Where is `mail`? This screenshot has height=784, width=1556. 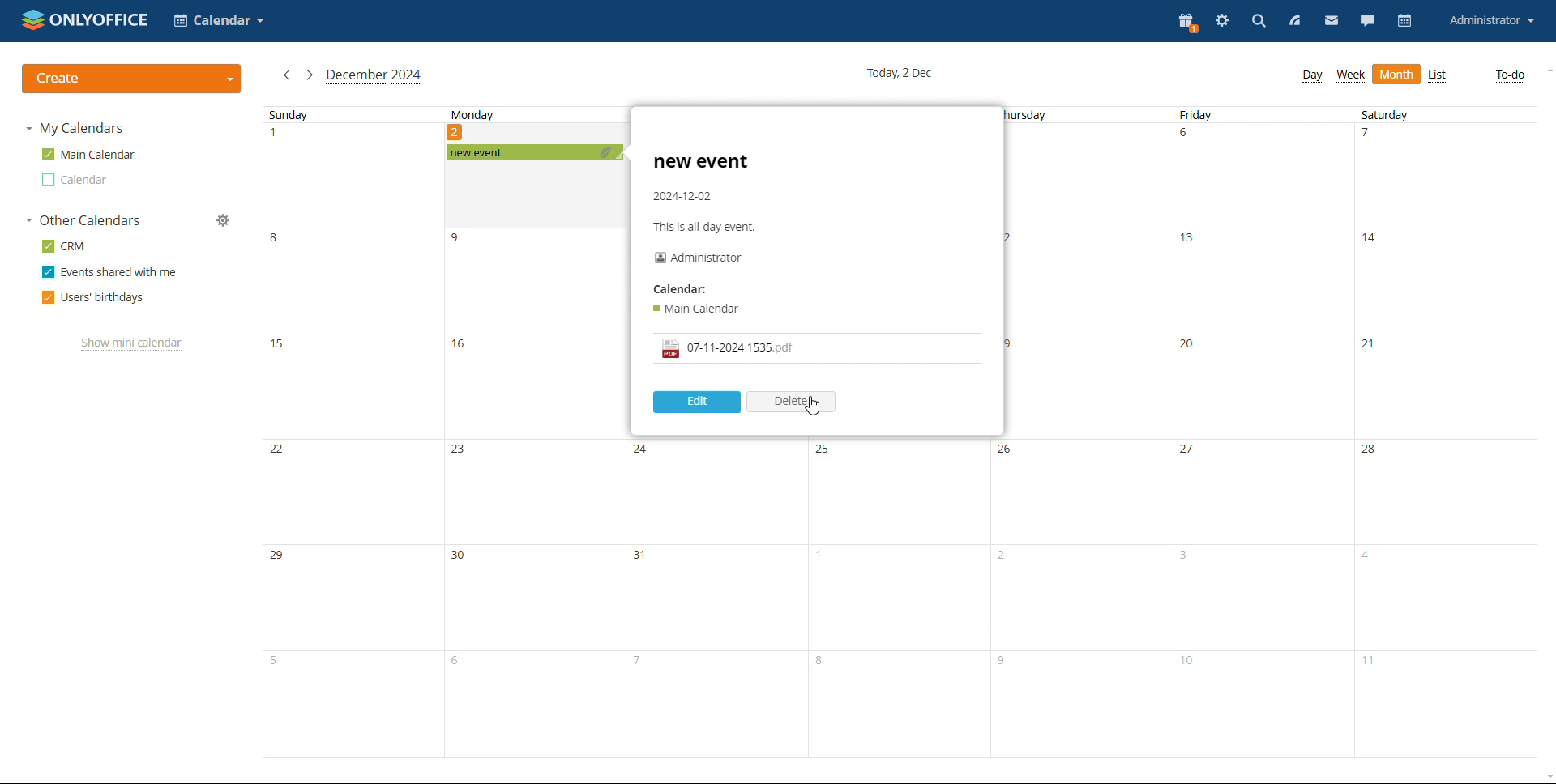 mail is located at coordinates (1332, 20).